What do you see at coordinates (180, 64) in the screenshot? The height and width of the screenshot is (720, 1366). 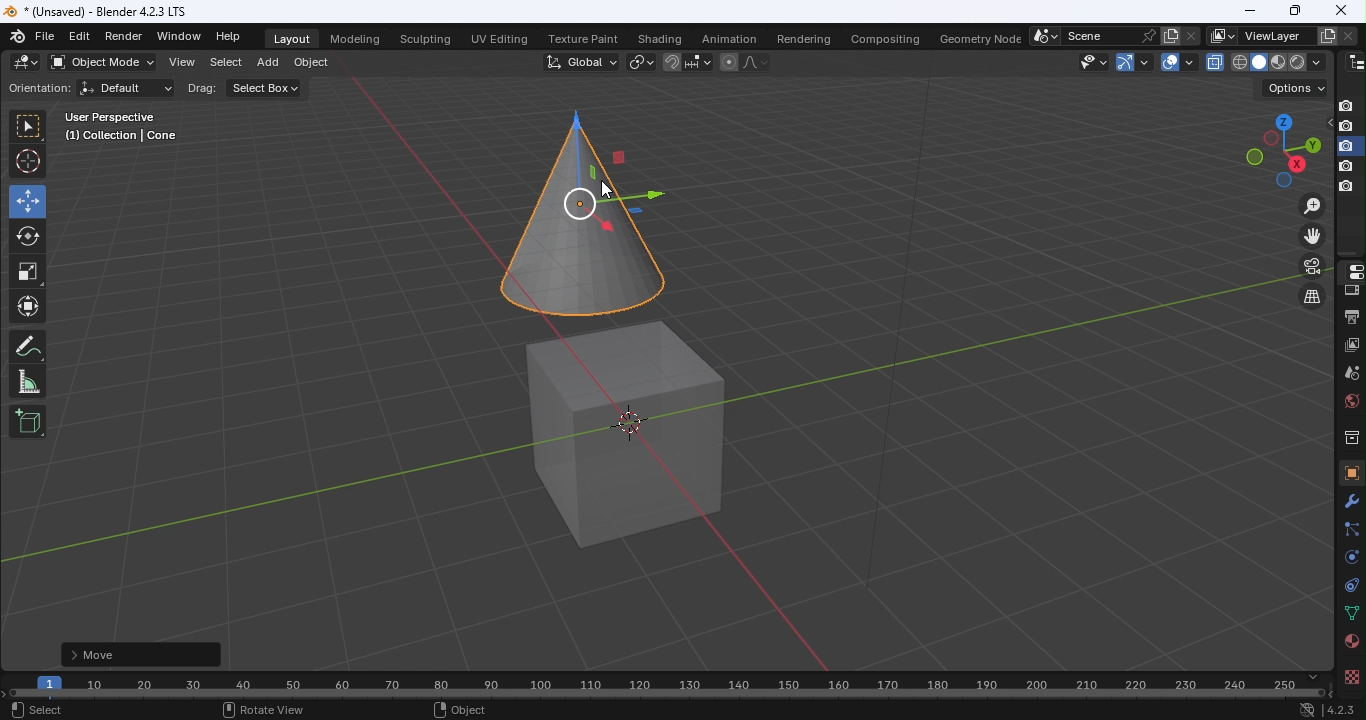 I see `View` at bounding box center [180, 64].